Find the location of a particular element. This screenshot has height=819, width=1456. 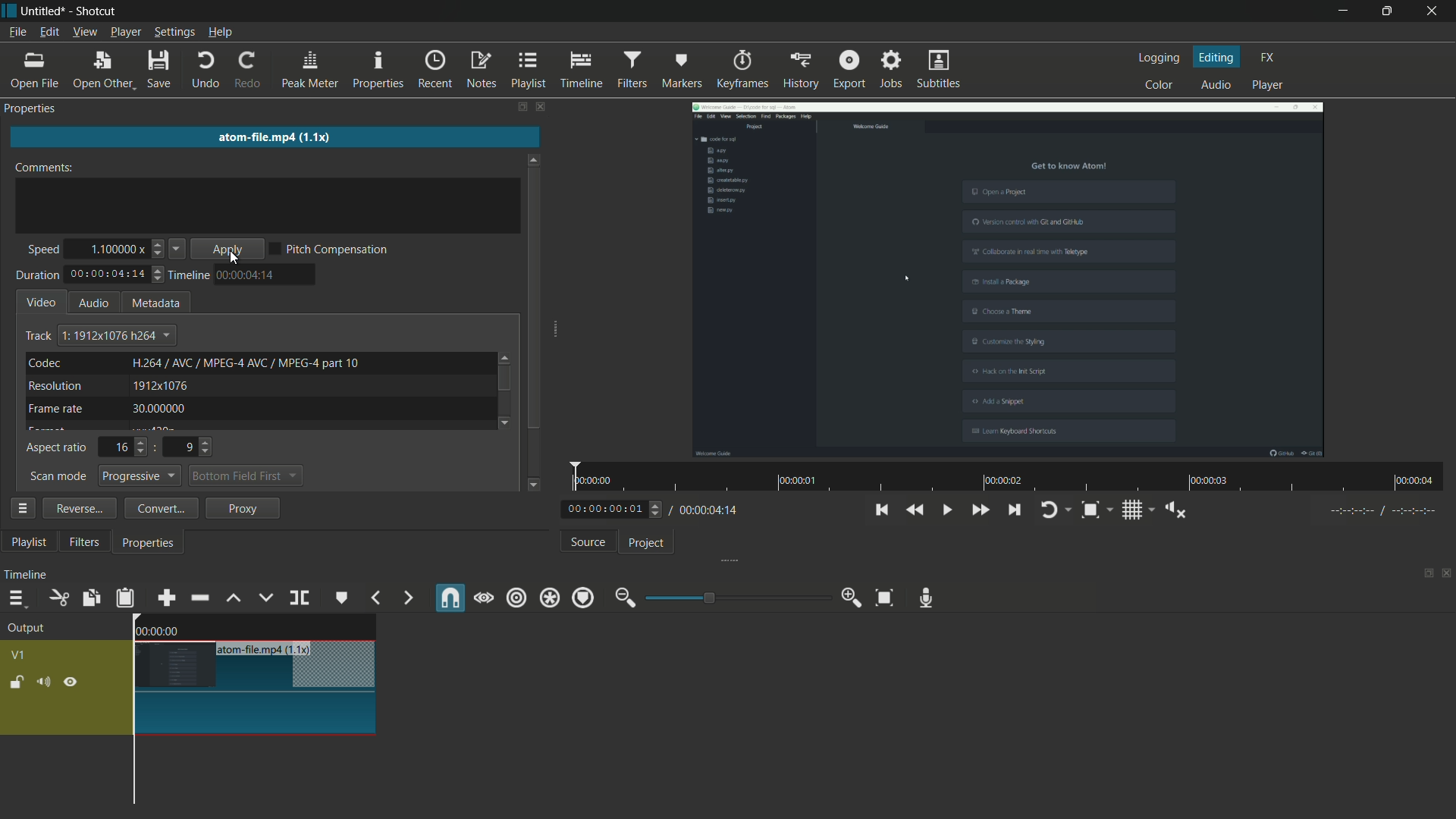

codec is located at coordinates (43, 362).